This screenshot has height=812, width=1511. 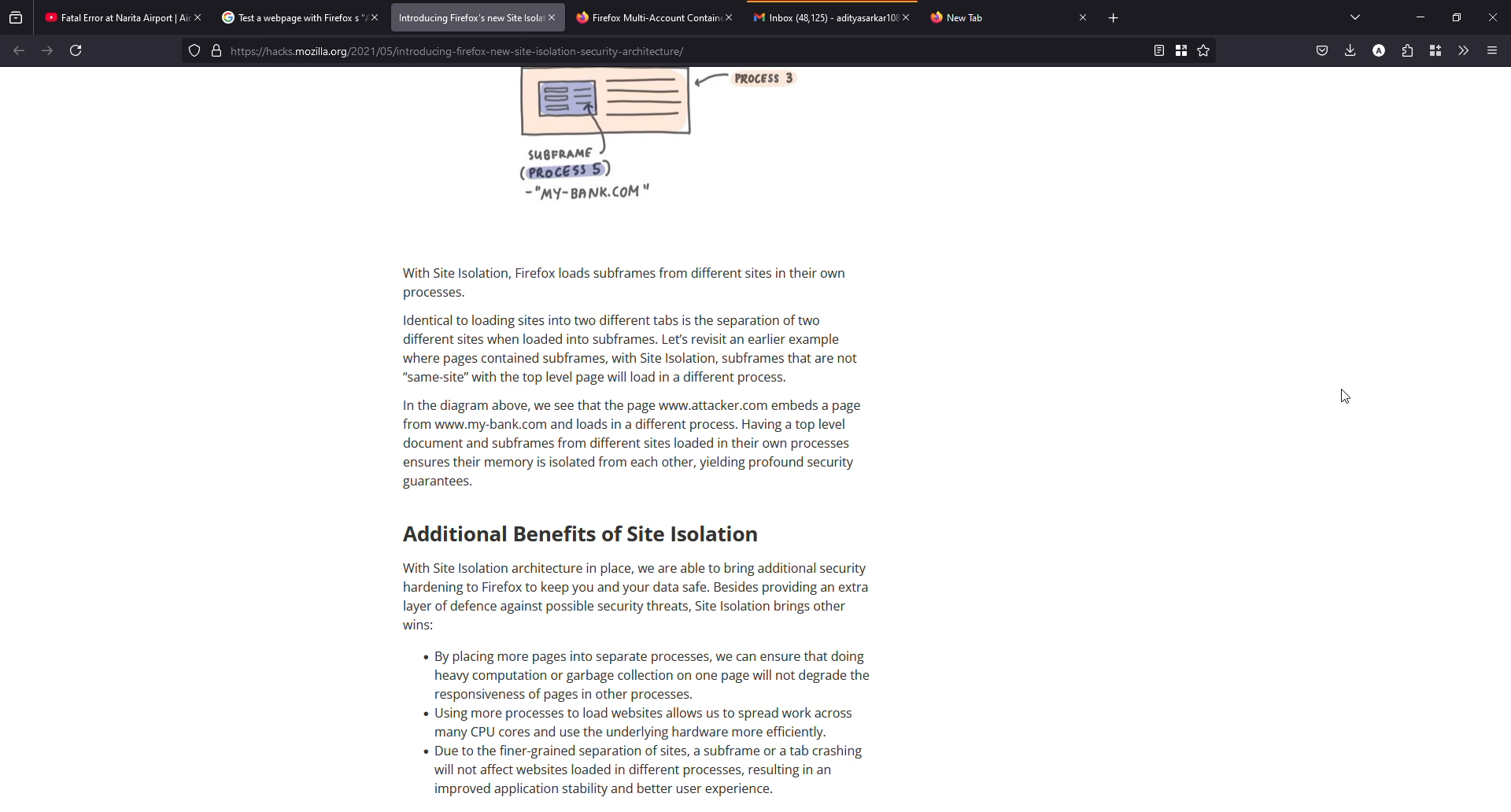 What do you see at coordinates (556, 17) in the screenshot?
I see `close` at bounding box center [556, 17].